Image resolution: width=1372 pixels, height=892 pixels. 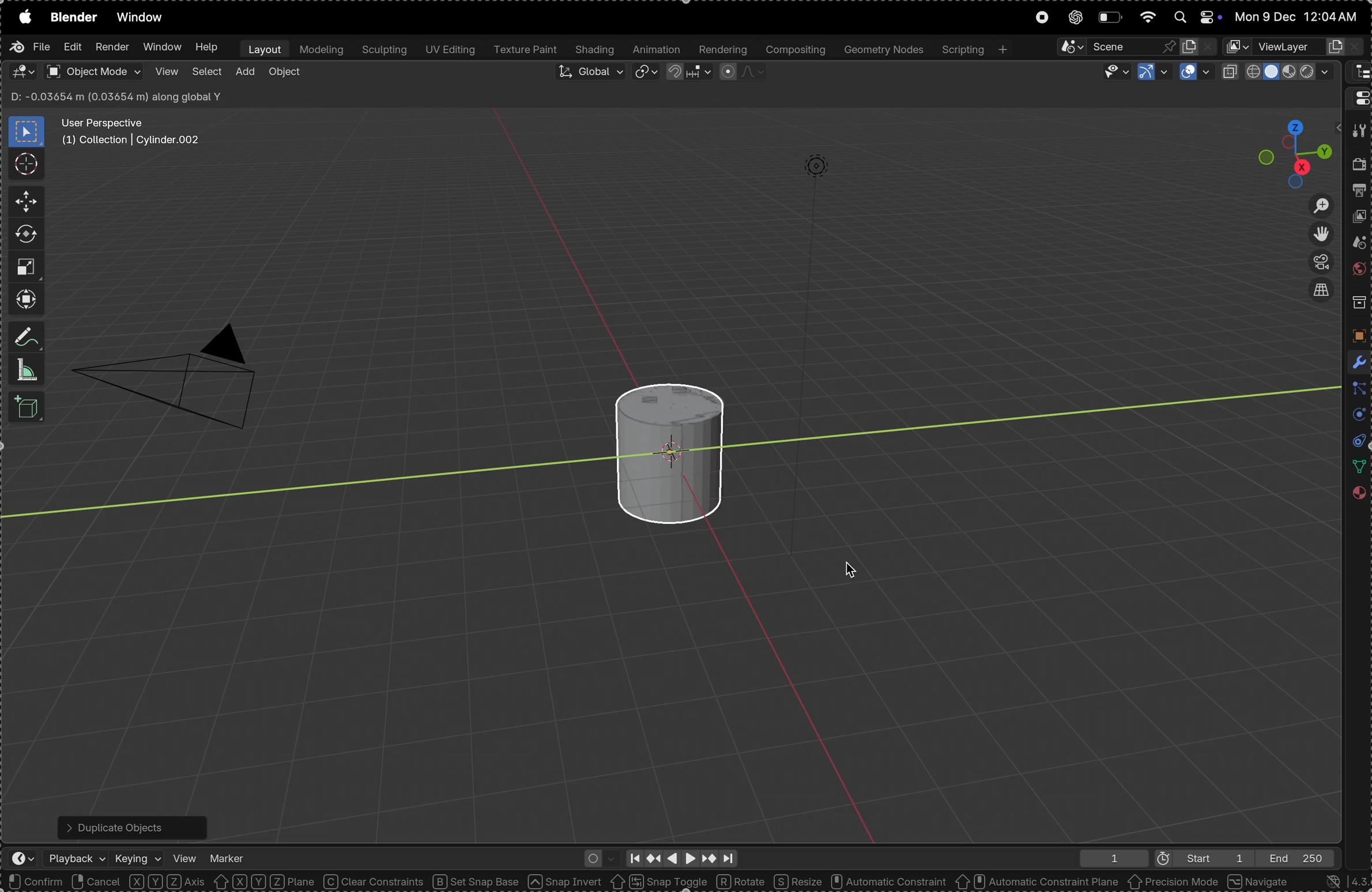 What do you see at coordinates (853, 571) in the screenshot?
I see `cursor` at bounding box center [853, 571].